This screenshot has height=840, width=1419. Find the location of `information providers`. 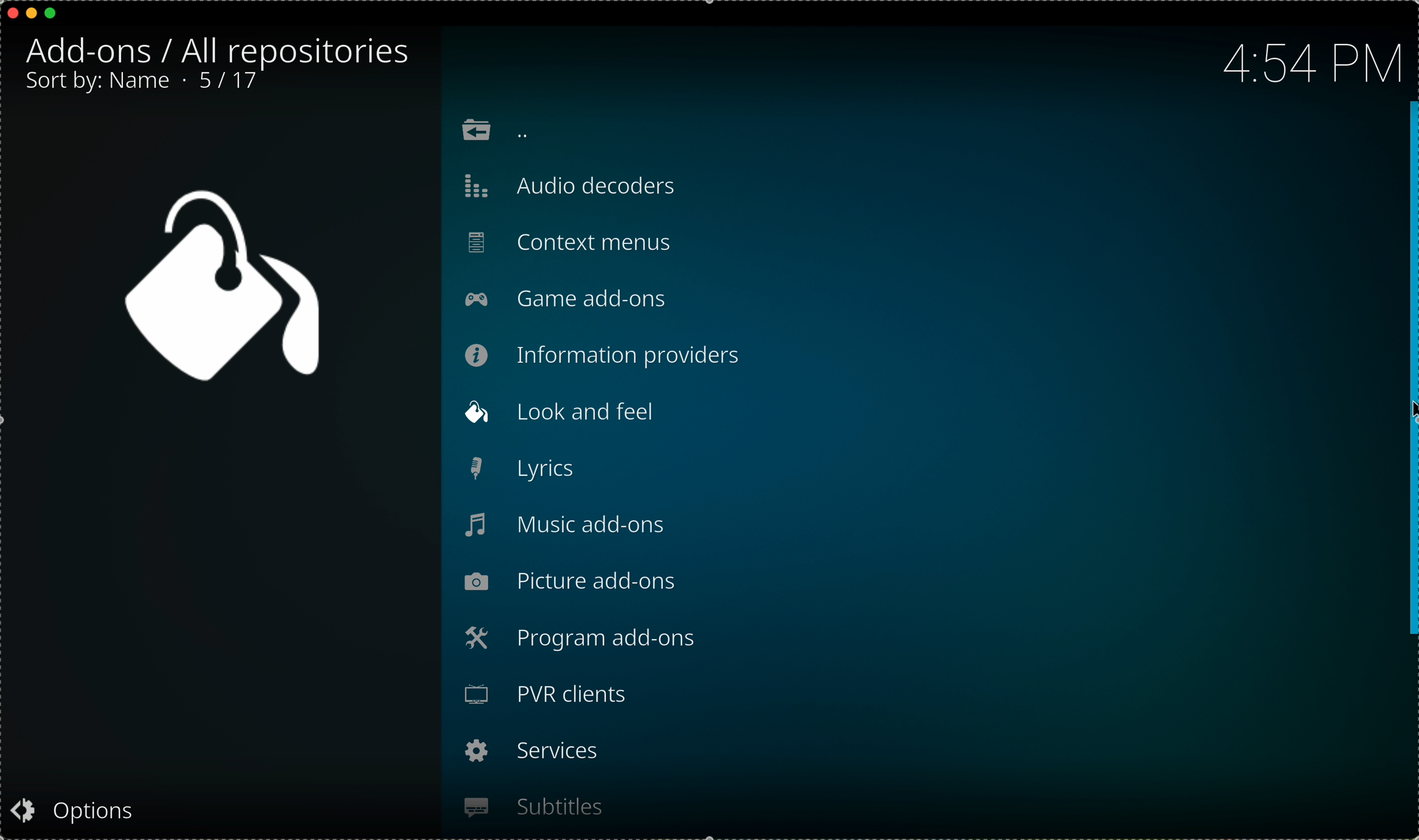

information providers is located at coordinates (608, 355).